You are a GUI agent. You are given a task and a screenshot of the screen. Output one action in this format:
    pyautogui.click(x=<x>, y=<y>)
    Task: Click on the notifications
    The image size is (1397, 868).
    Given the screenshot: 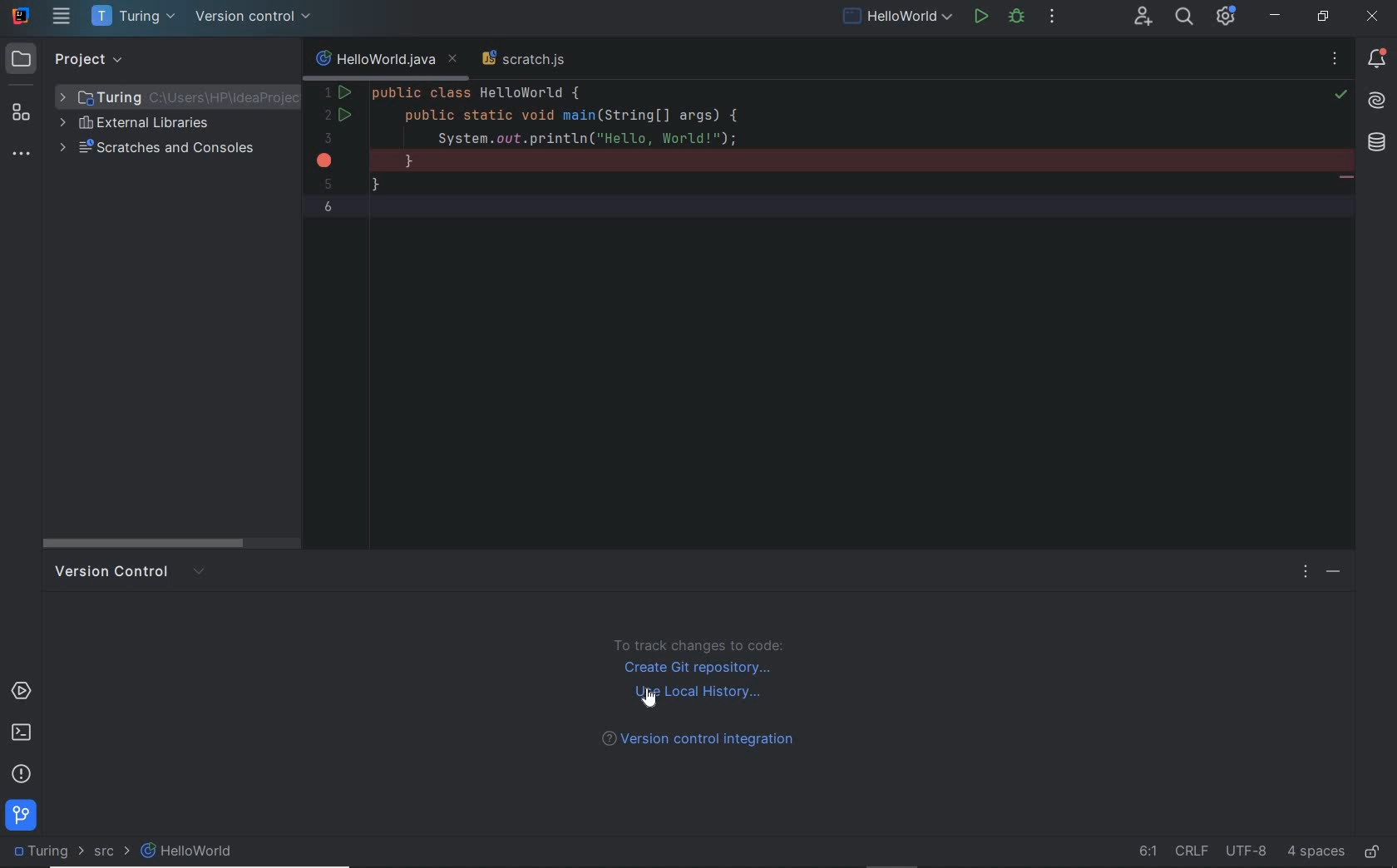 What is the action you would take?
    pyautogui.click(x=1378, y=62)
    